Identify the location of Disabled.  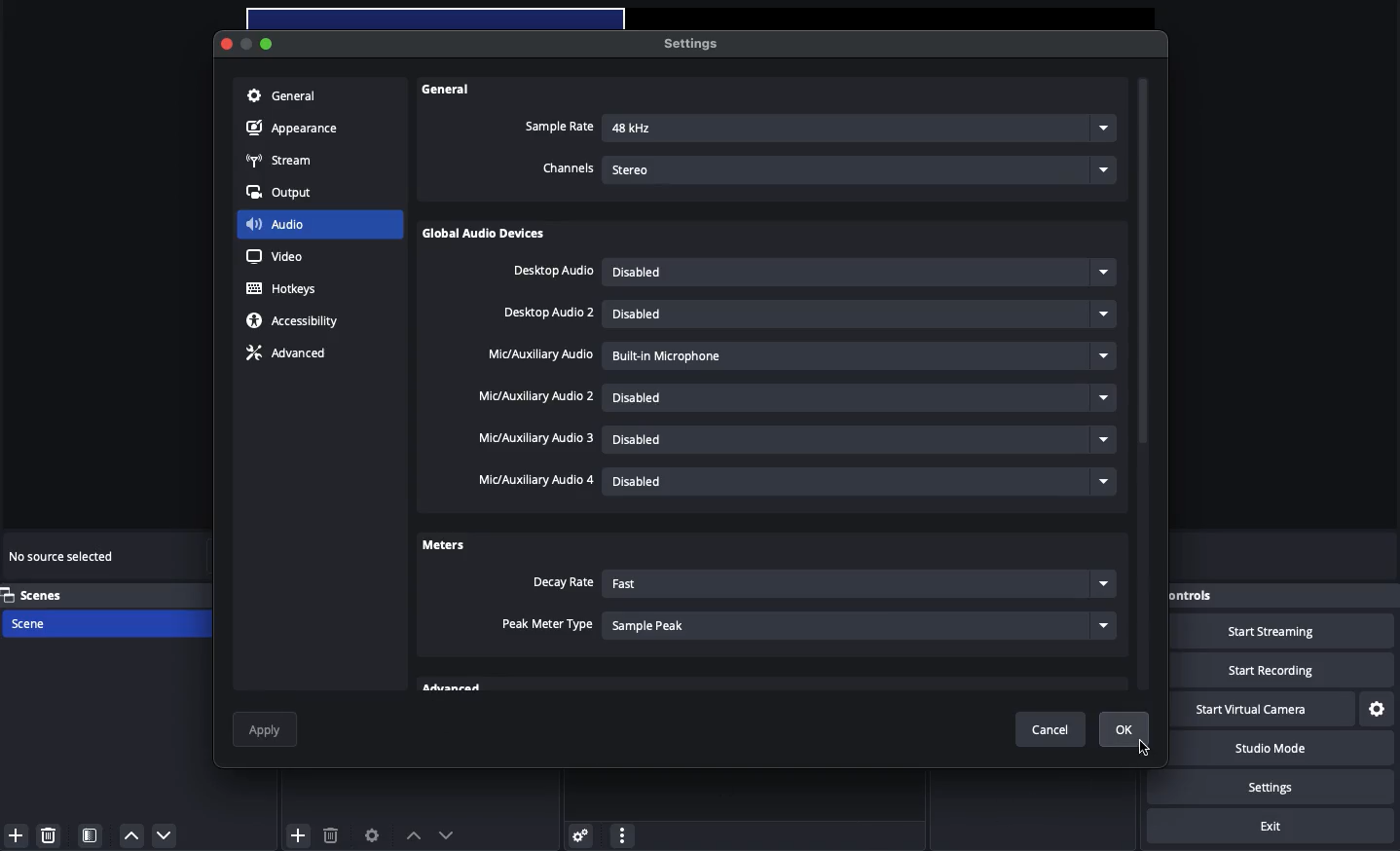
(863, 479).